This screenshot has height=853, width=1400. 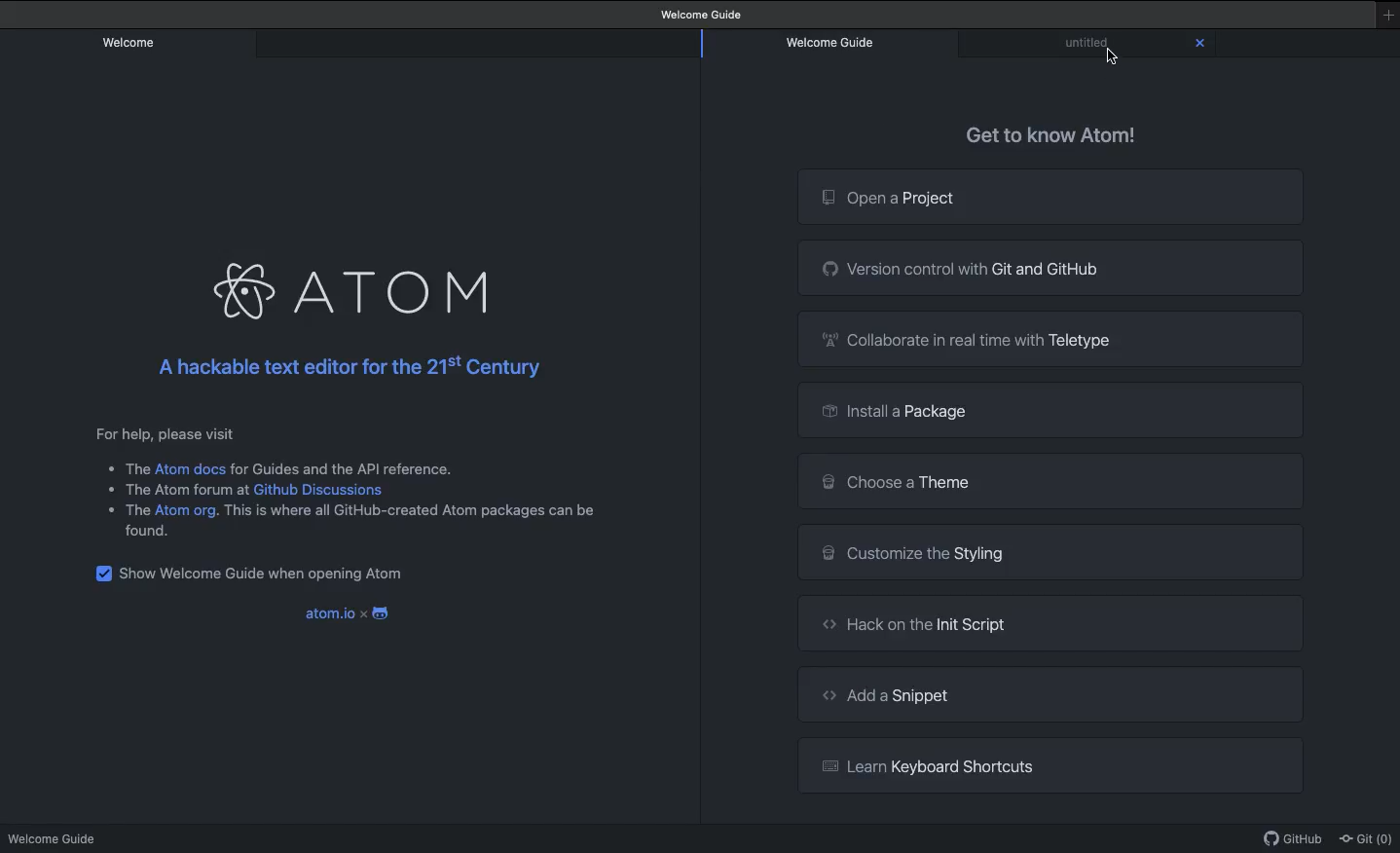 What do you see at coordinates (1050, 694) in the screenshot?
I see `Add a snippet` at bounding box center [1050, 694].